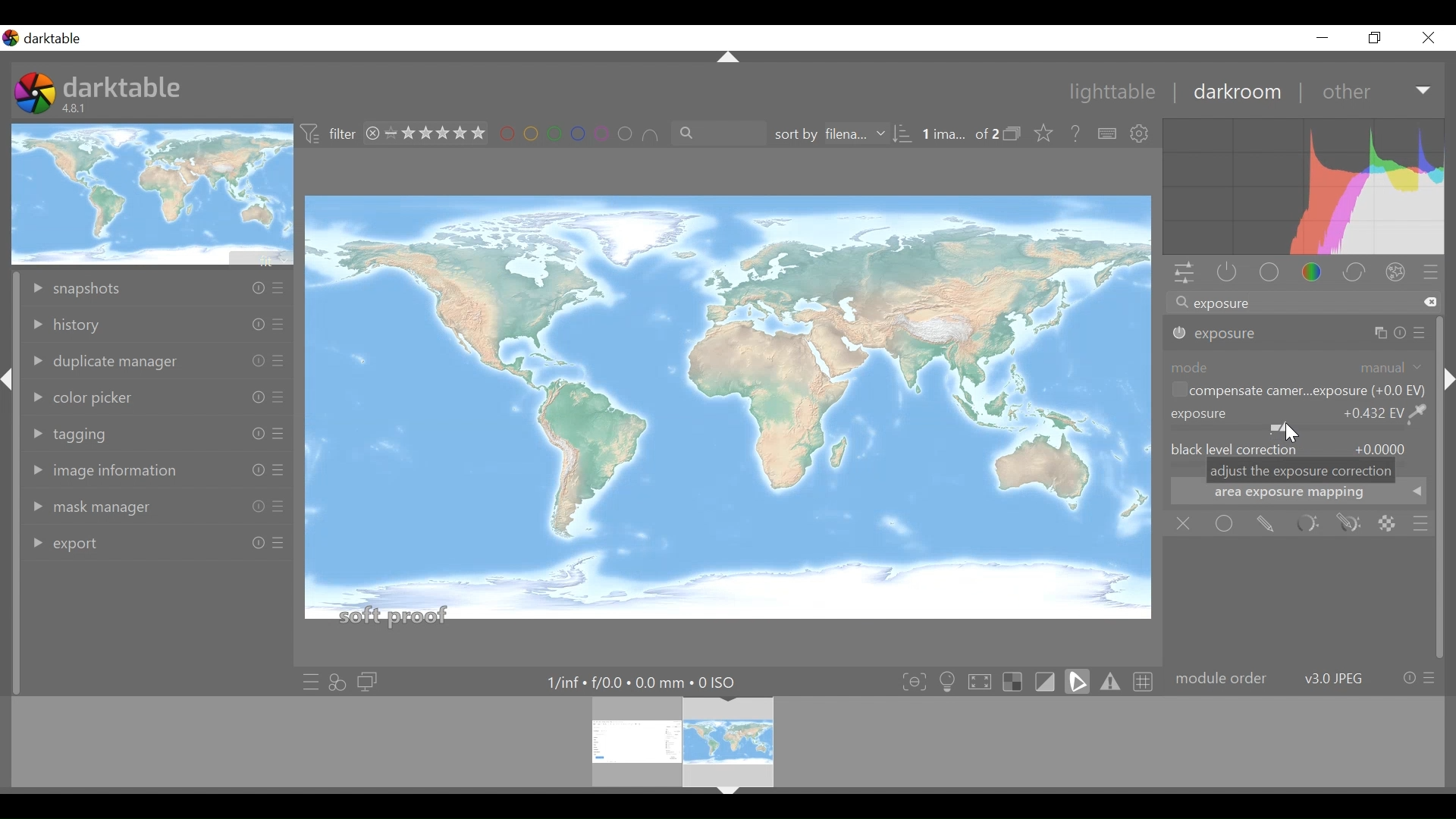  Describe the element at coordinates (916, 681) in the screenshot. I see `toggle focus peaking mode` at that location.